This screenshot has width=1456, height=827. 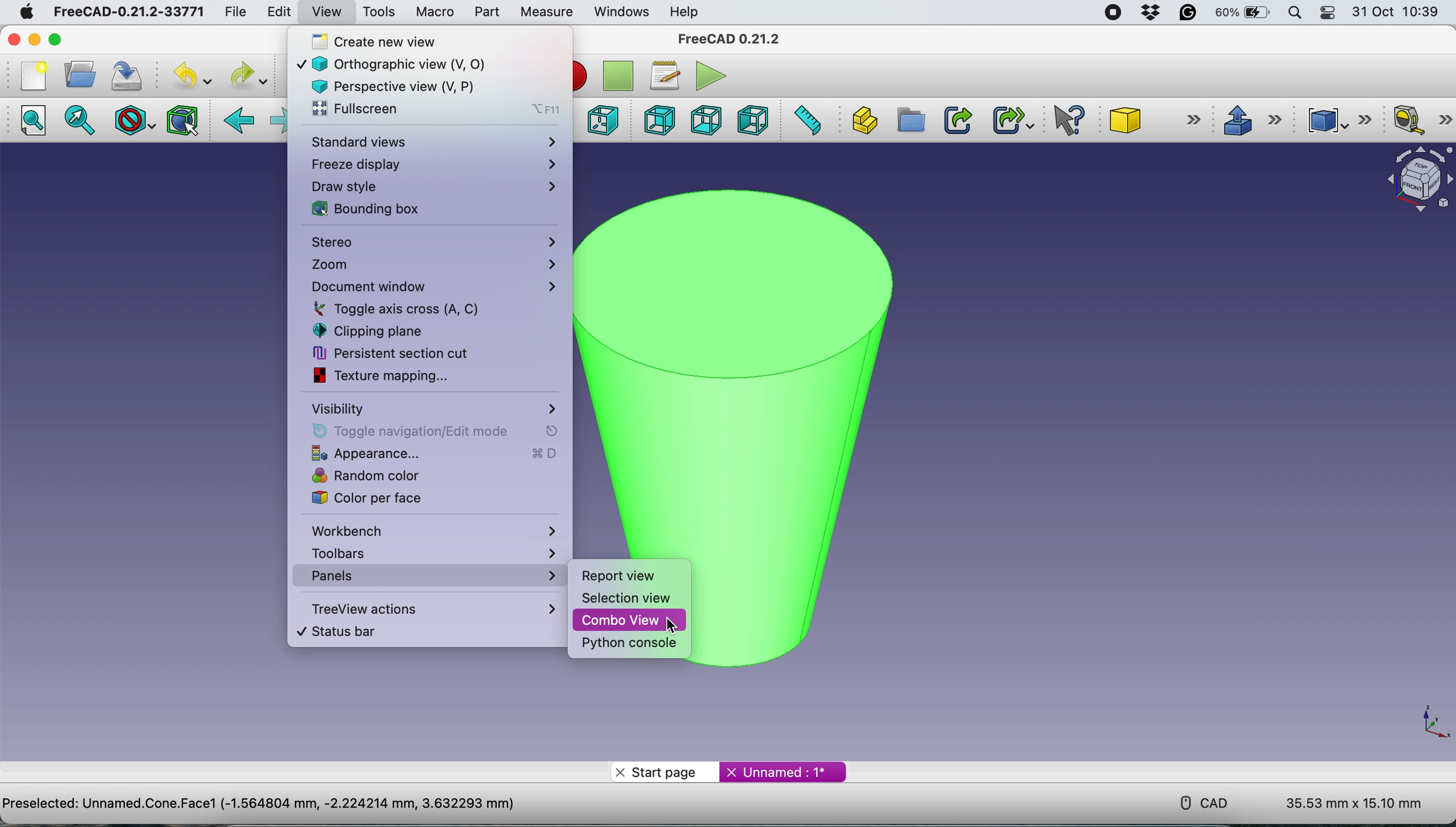 I want to click on tools, so click(x=379, y=12).